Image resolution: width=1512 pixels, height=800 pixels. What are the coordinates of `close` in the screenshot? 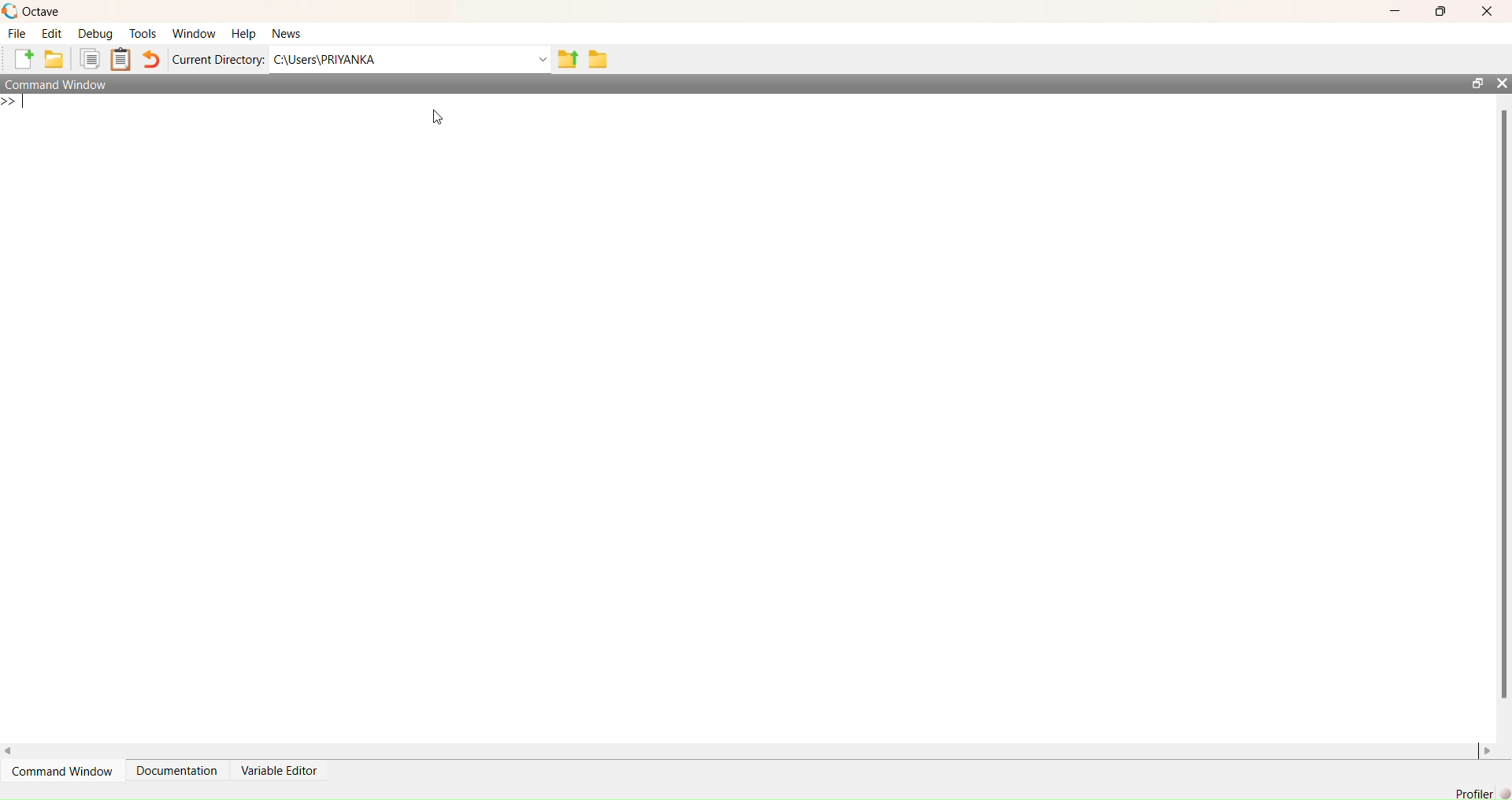 It's located at (1488, 11).